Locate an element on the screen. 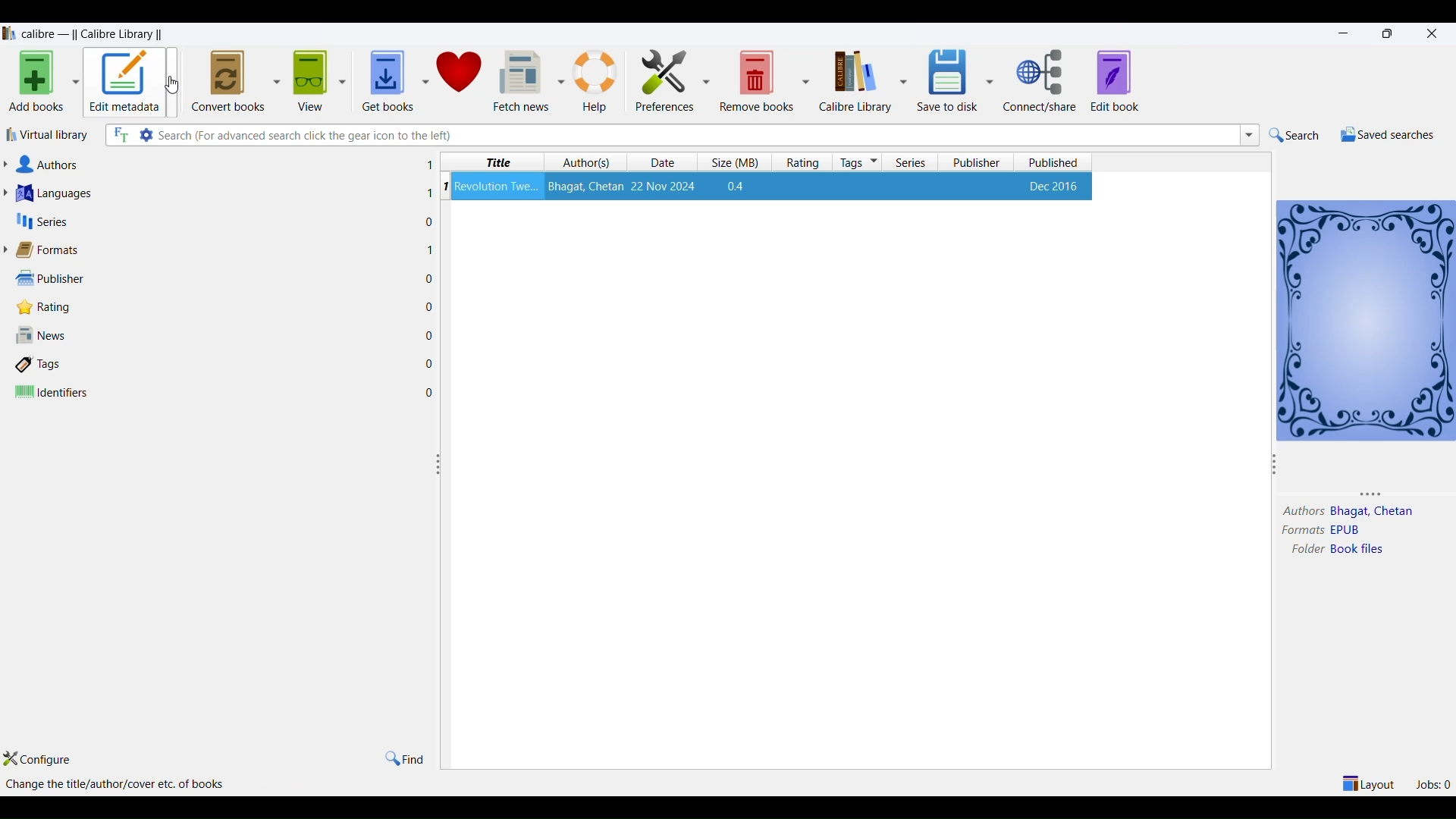  search dropdown button is located at coordinates (1250, 136).